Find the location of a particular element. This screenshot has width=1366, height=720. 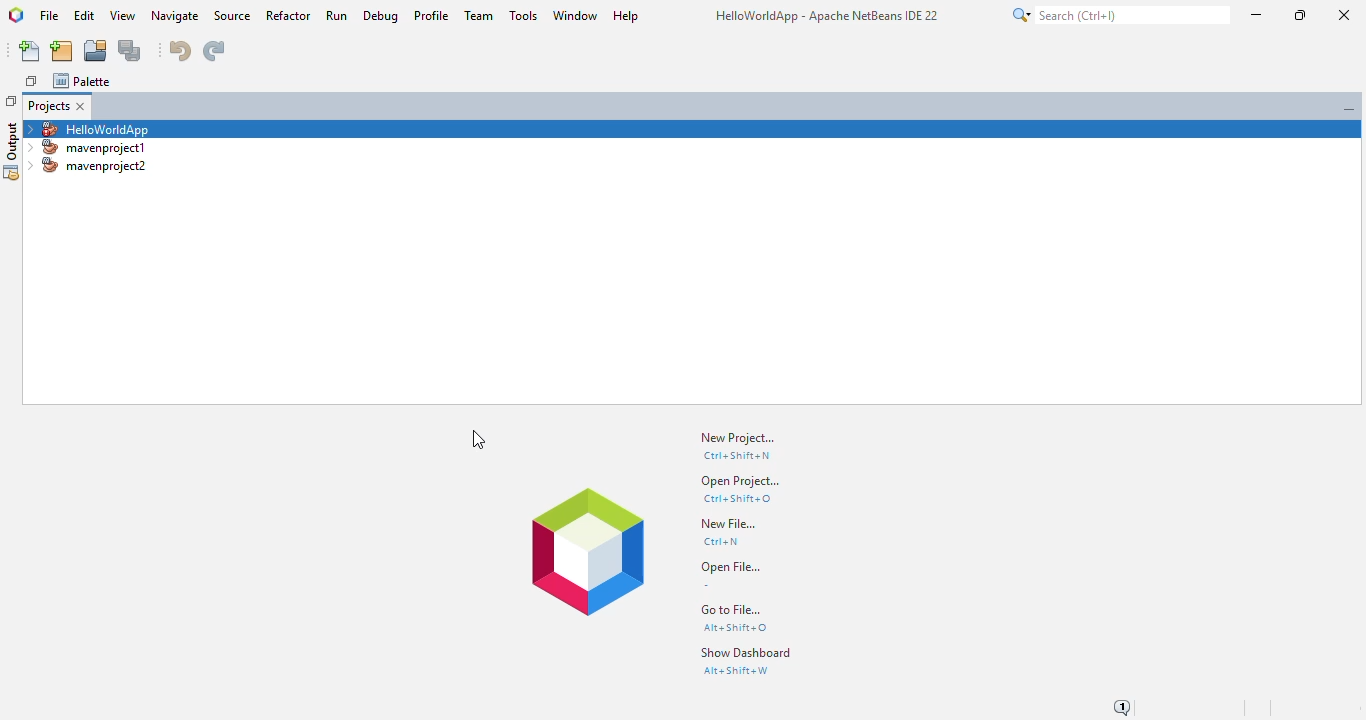

minimize window group is located at coordinates (1346, 107).